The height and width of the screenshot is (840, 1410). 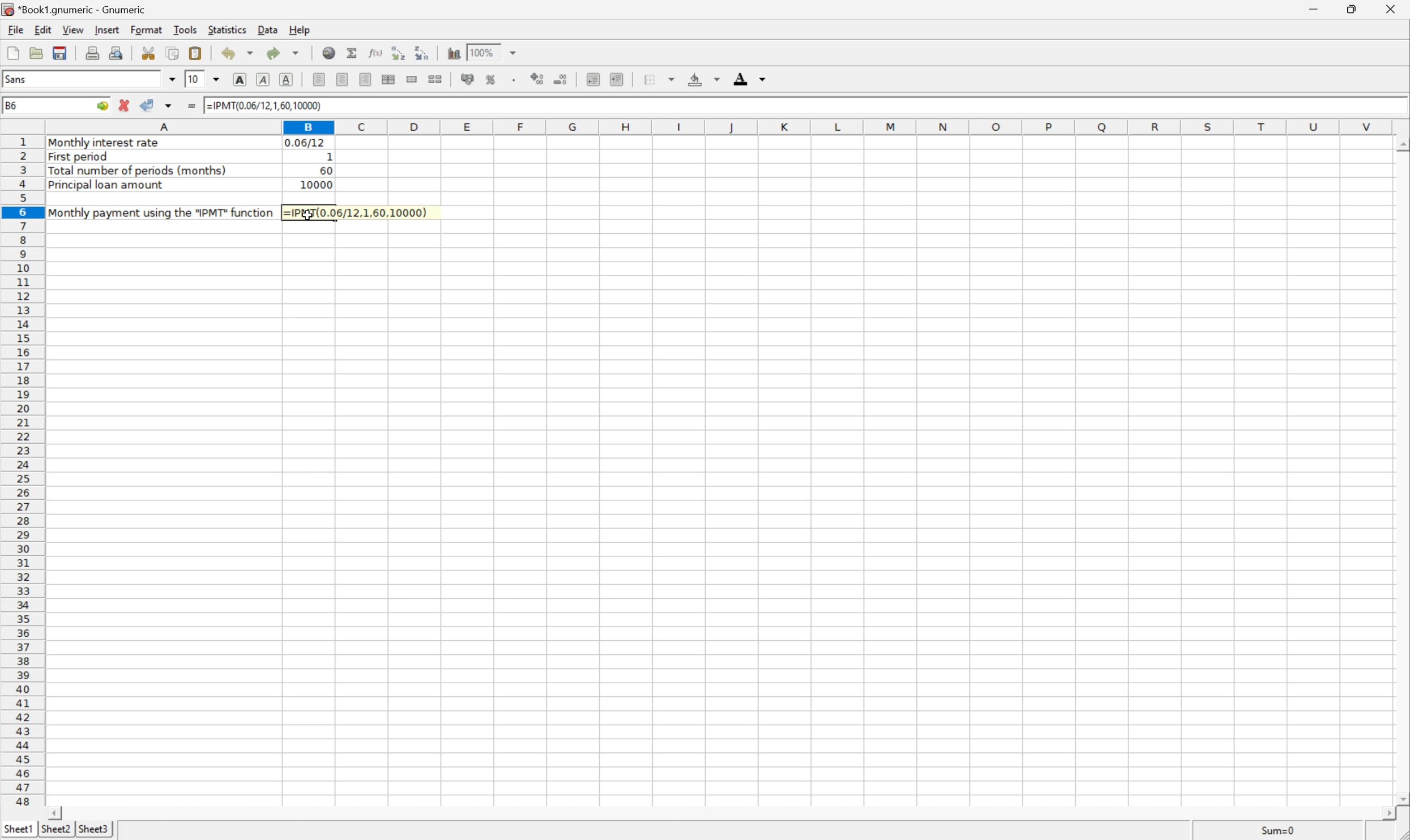 What do you see at coordinates (454, 53) in the screenshot?
I see `Insert a chart` at bounding box center [454, 53].